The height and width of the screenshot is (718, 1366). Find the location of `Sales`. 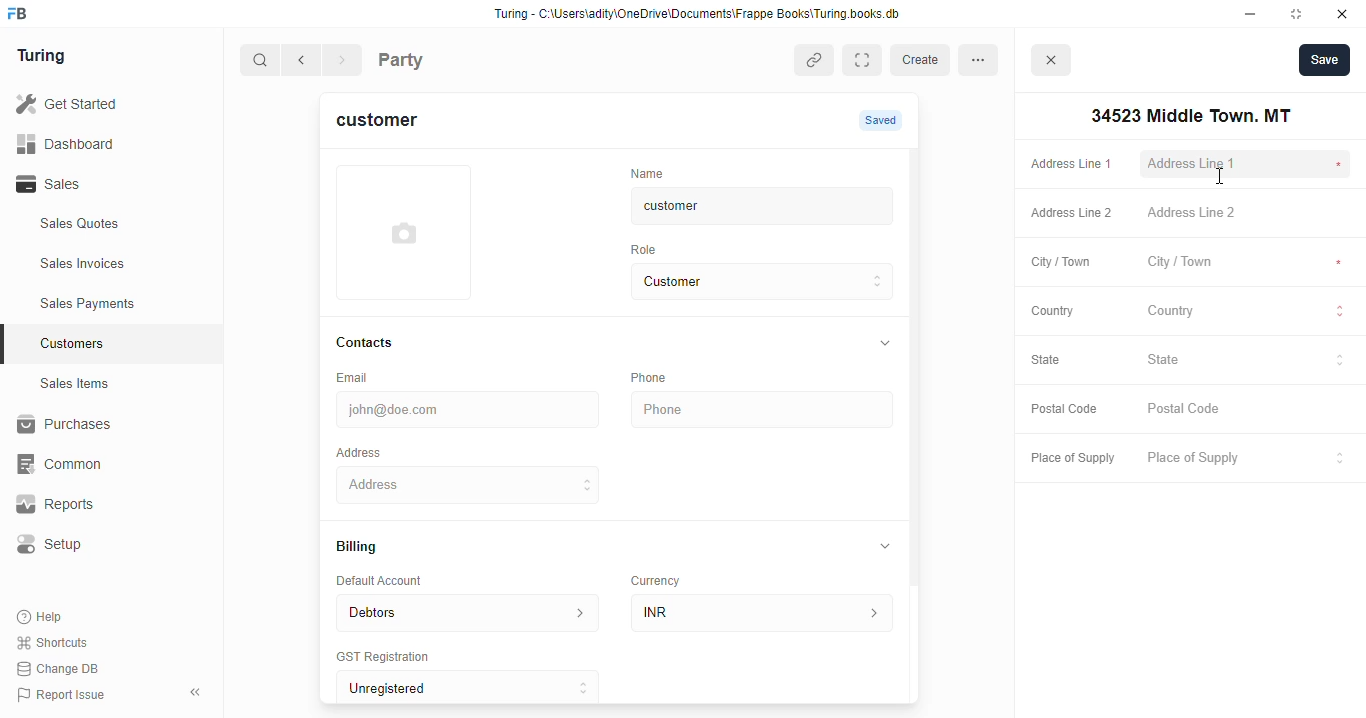

Sales is located at coordinates (98, 184).